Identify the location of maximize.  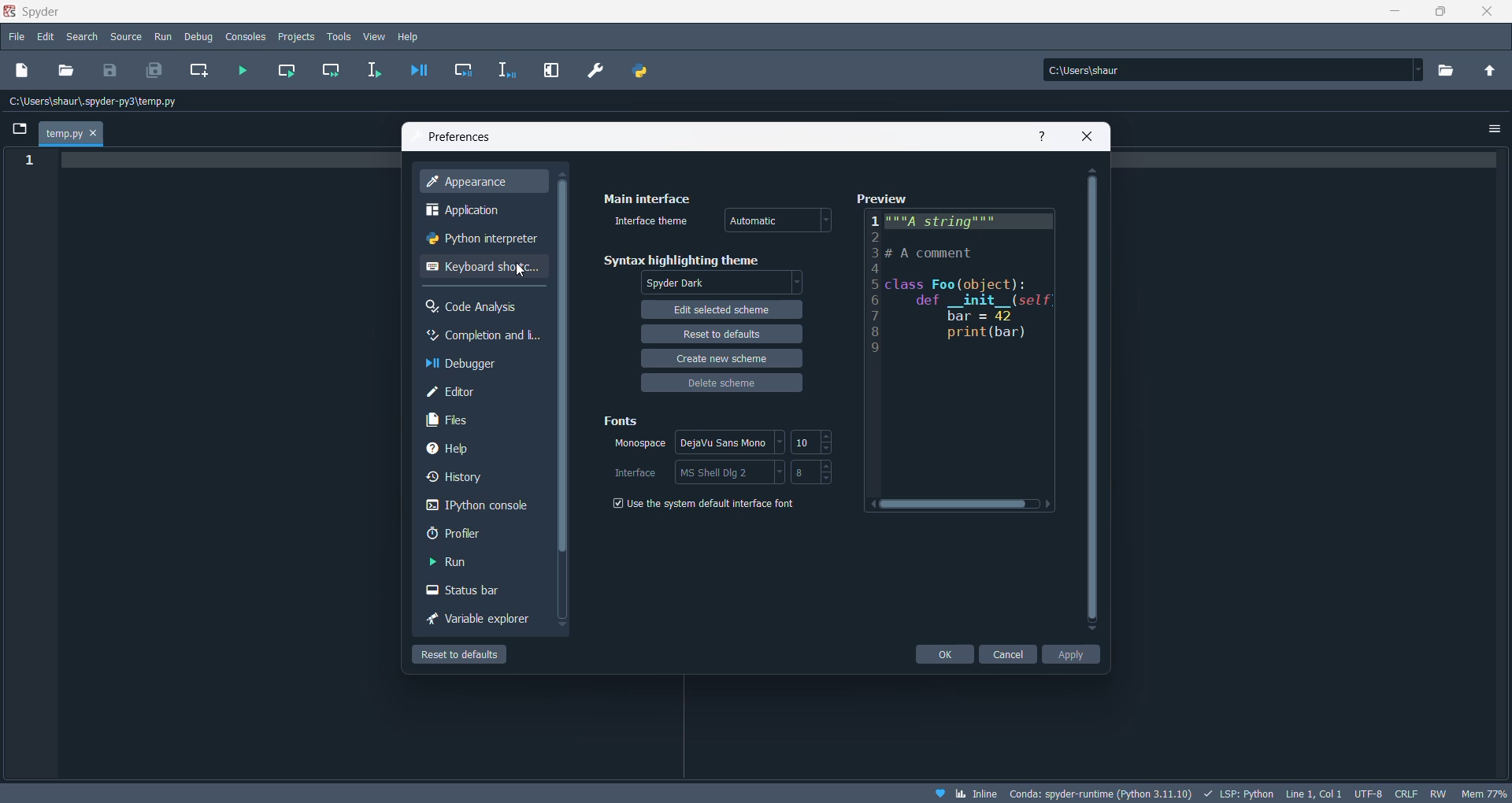
(1442, 14).